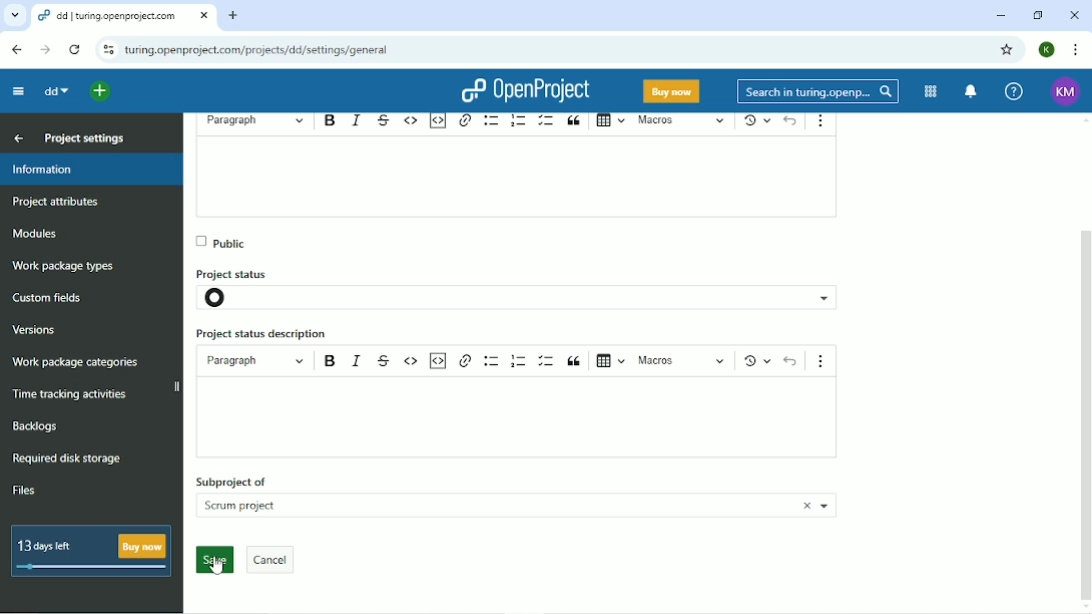  Describe the element at coordinates (467, 359) in the screenshot. I see `hyperlink` at that location.